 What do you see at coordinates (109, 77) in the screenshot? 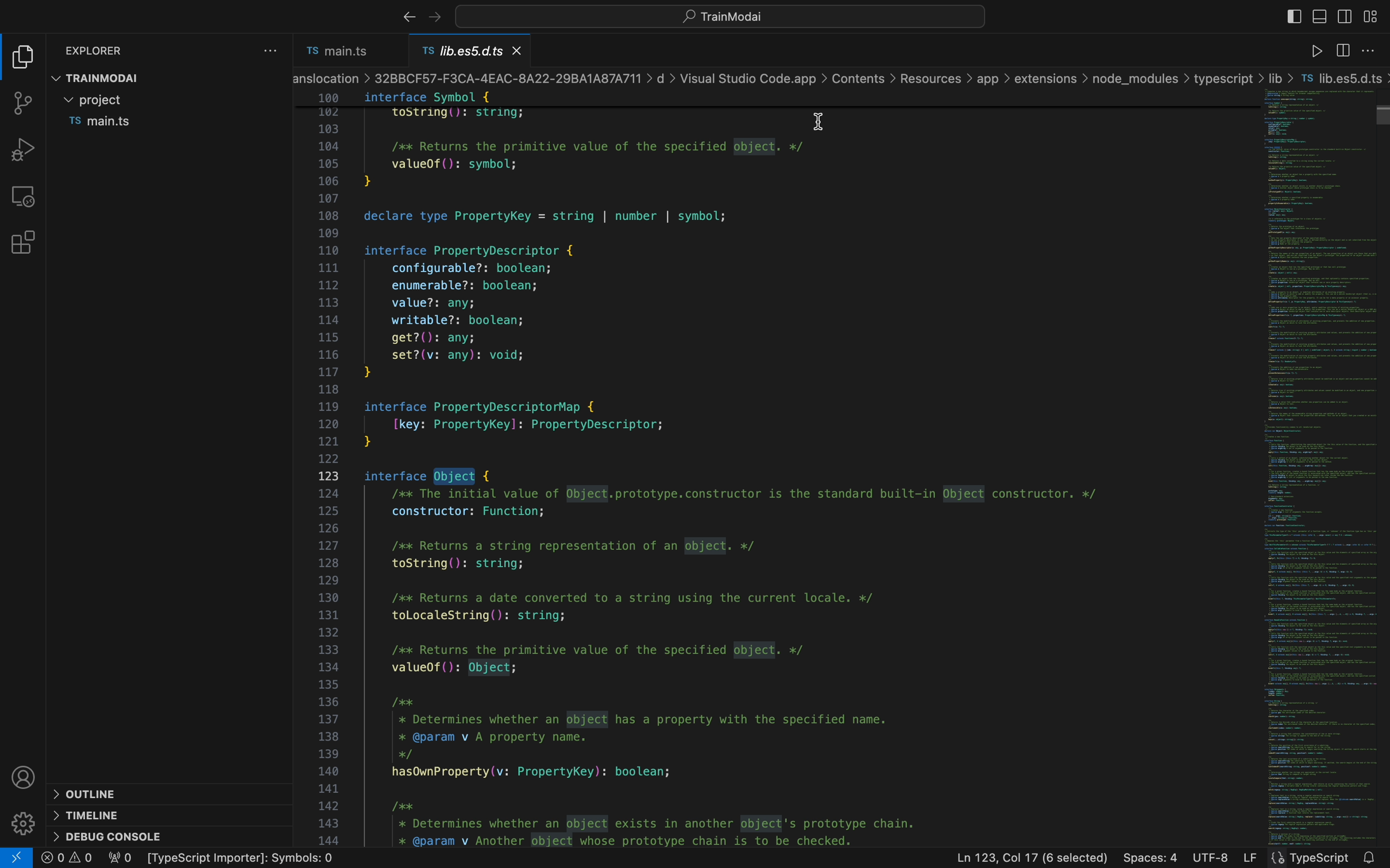
I see `trainmodal` at bounding box center [109, 77].